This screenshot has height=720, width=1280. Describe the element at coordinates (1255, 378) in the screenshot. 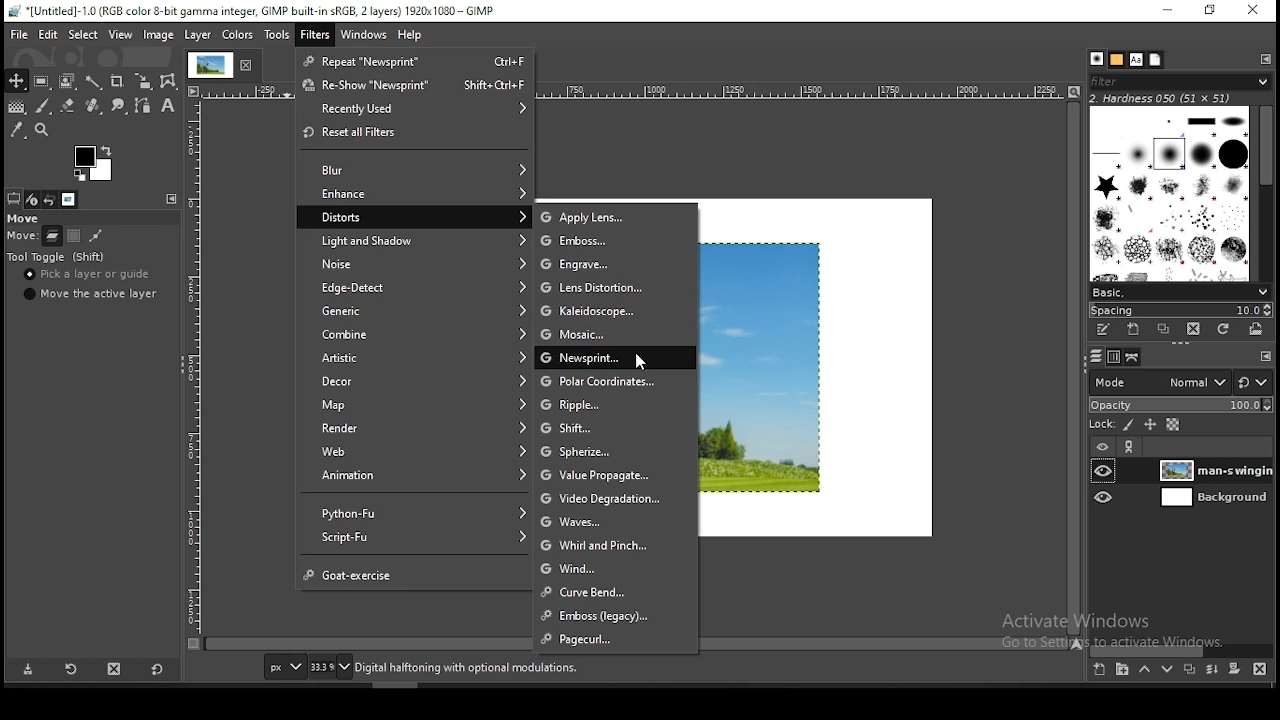

I see `reset` at that location.